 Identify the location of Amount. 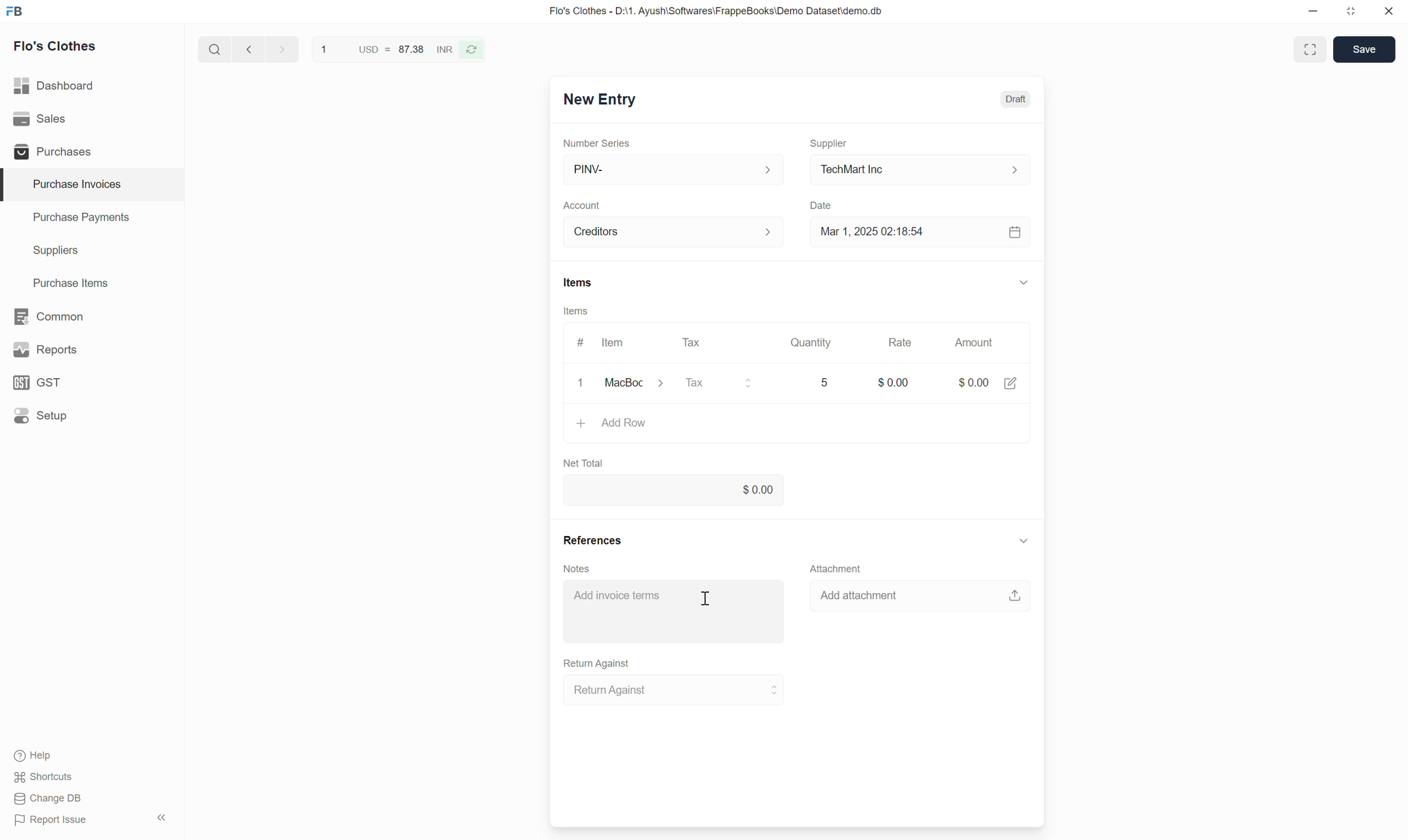
(978, 342).